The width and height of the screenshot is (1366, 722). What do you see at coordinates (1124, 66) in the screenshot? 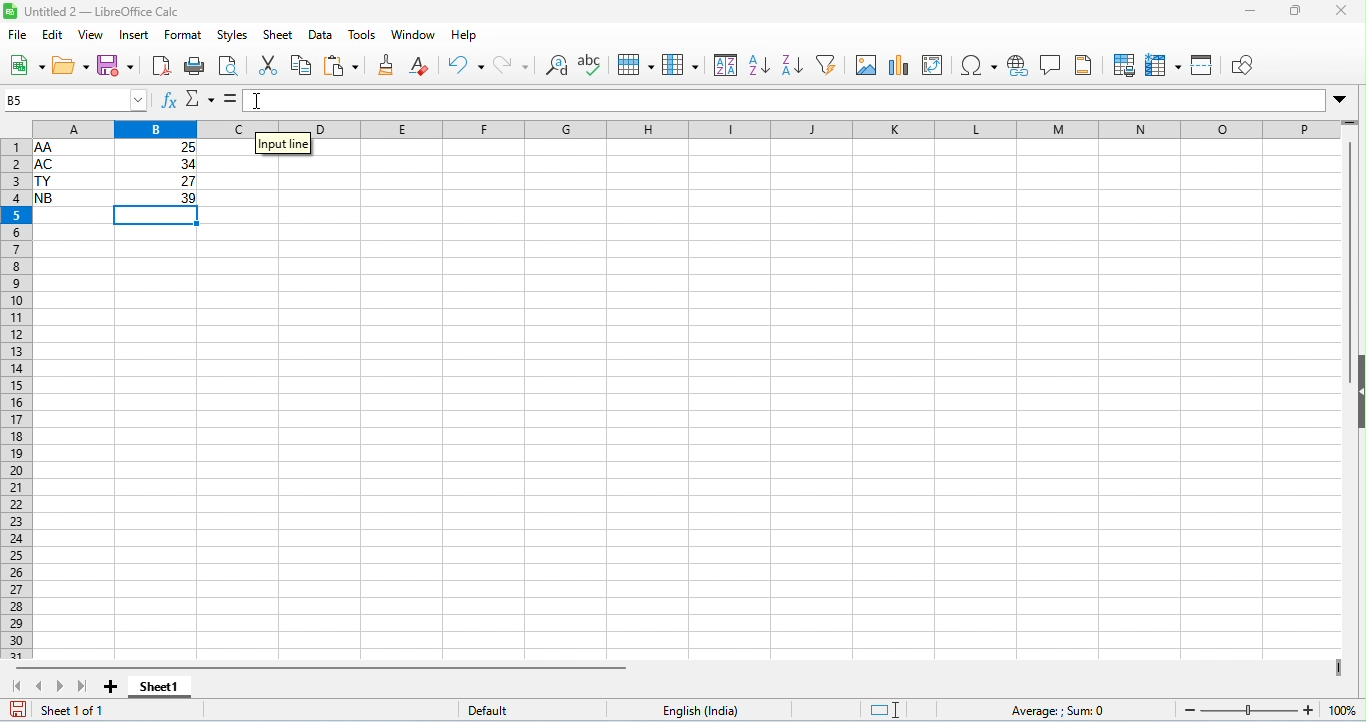
I see `define print area` at bounding box center [1124, 66].